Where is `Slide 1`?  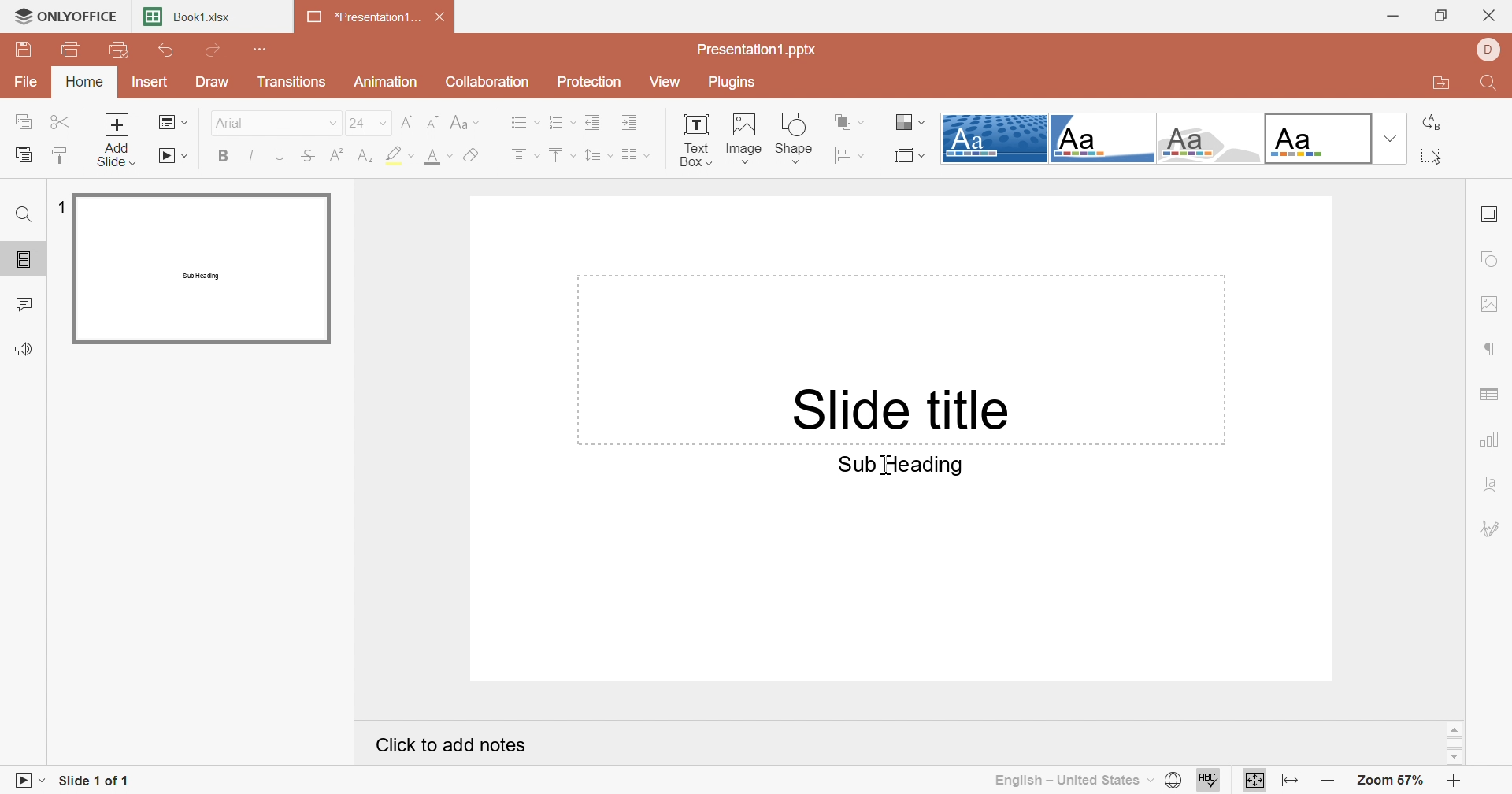
Slide 1 is located at coordinates (202, 269).